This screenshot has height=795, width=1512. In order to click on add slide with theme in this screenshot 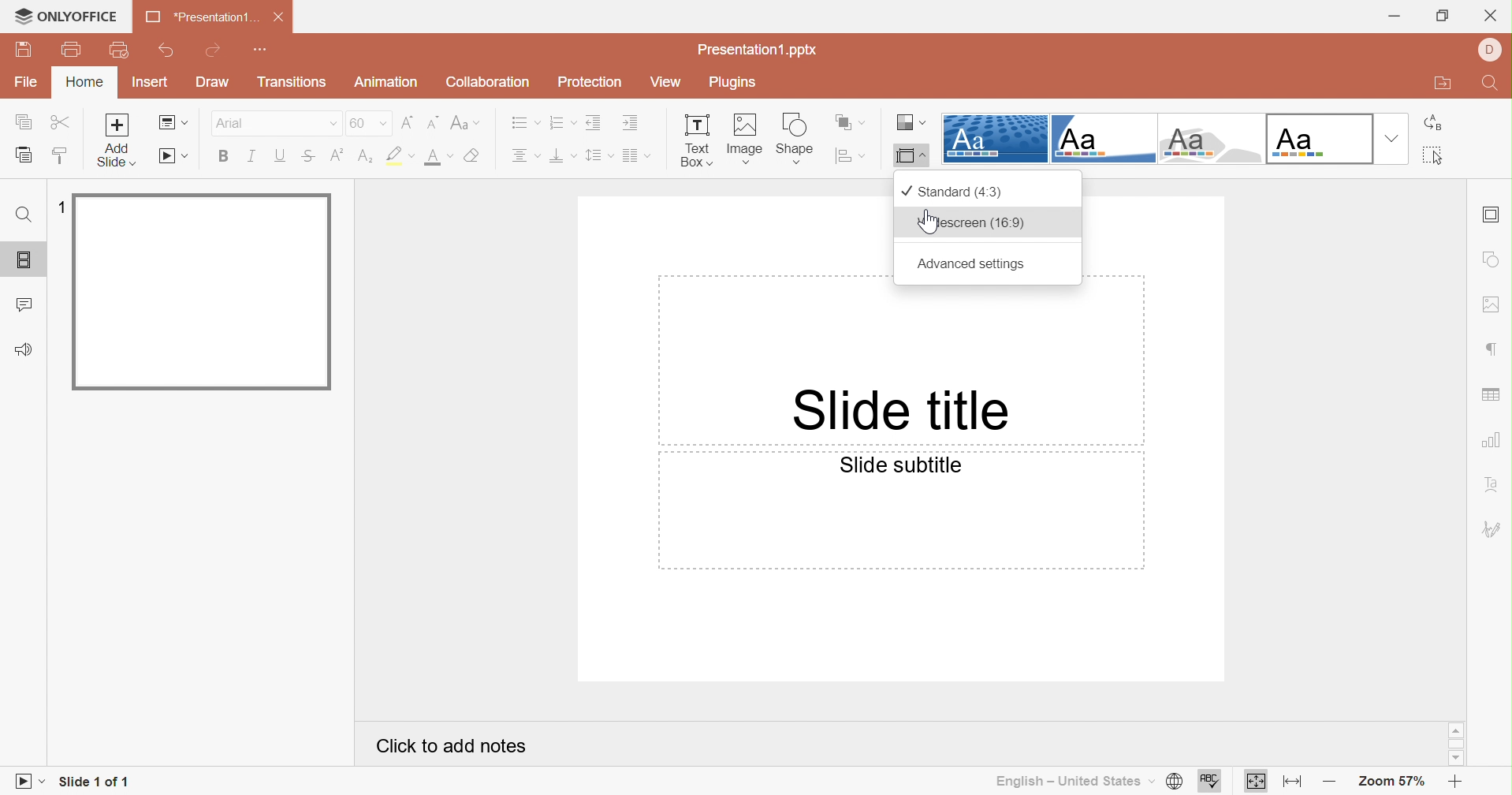, I will do `click(114, 156)`.